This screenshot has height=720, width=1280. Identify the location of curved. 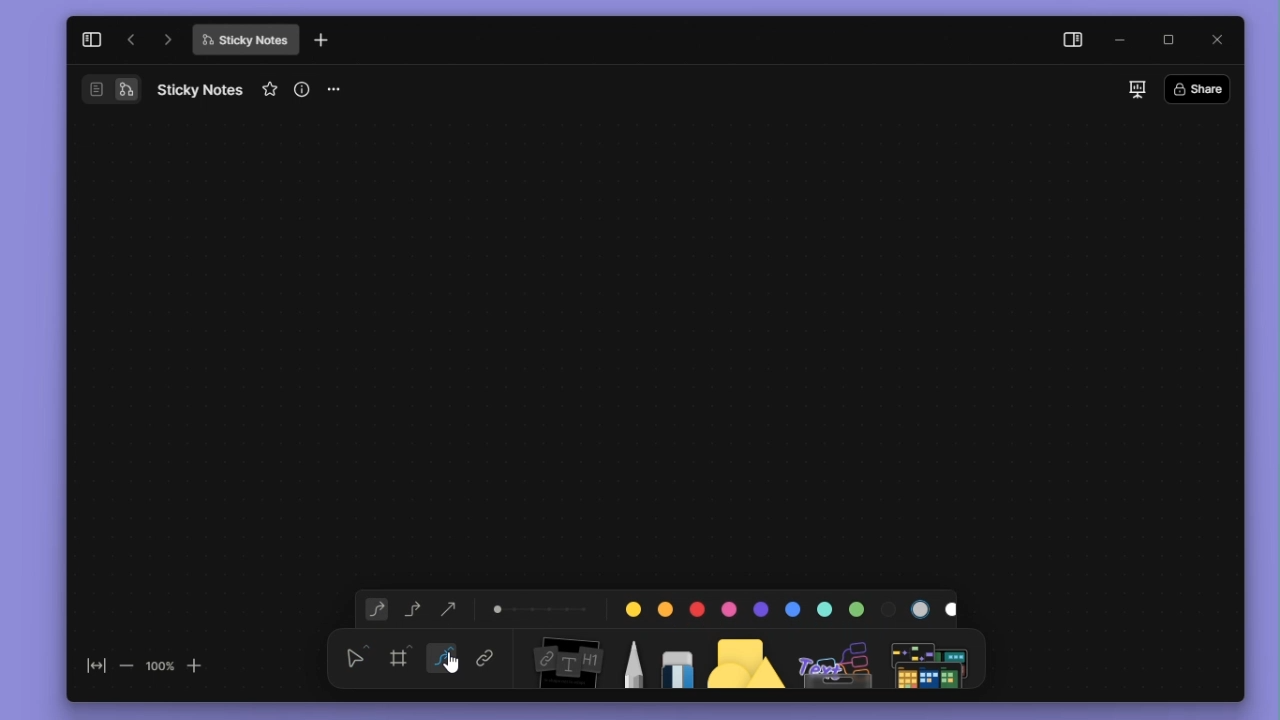
(373, 610).